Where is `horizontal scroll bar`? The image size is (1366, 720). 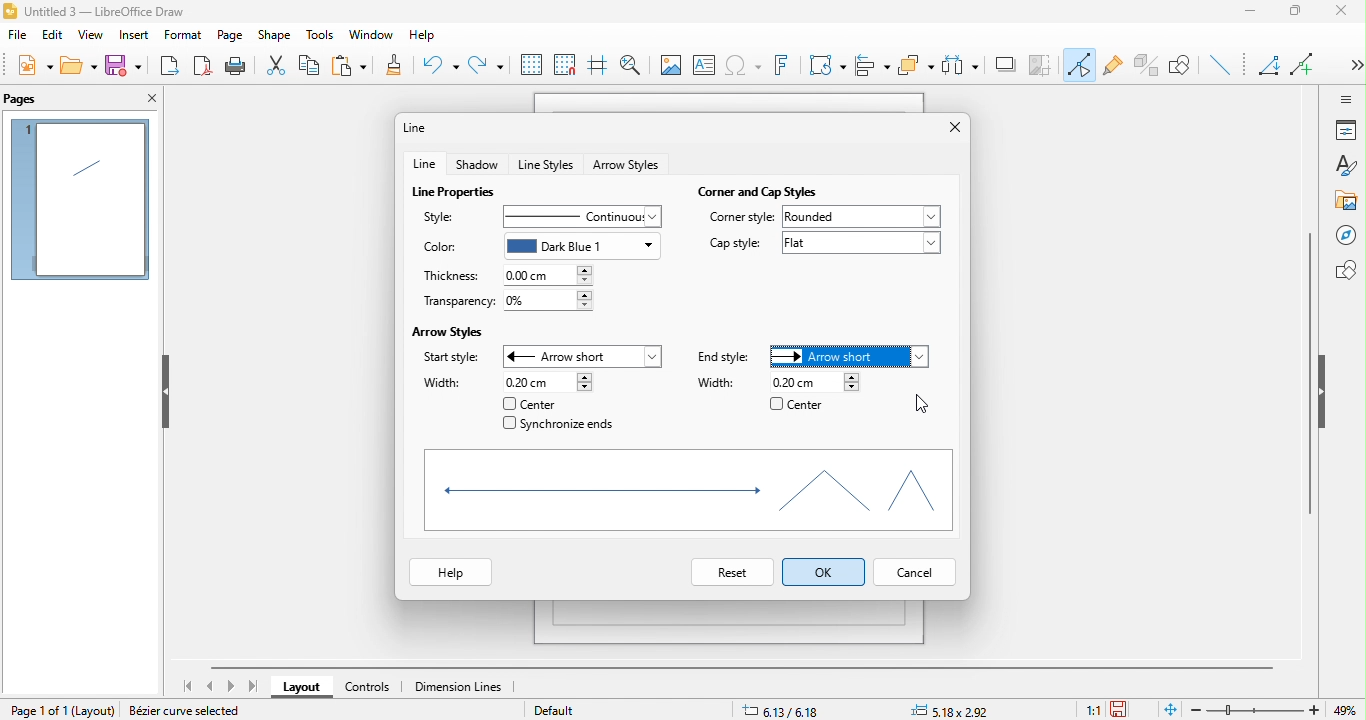 horizontal scroll bar is located at coordinates (748, 665).